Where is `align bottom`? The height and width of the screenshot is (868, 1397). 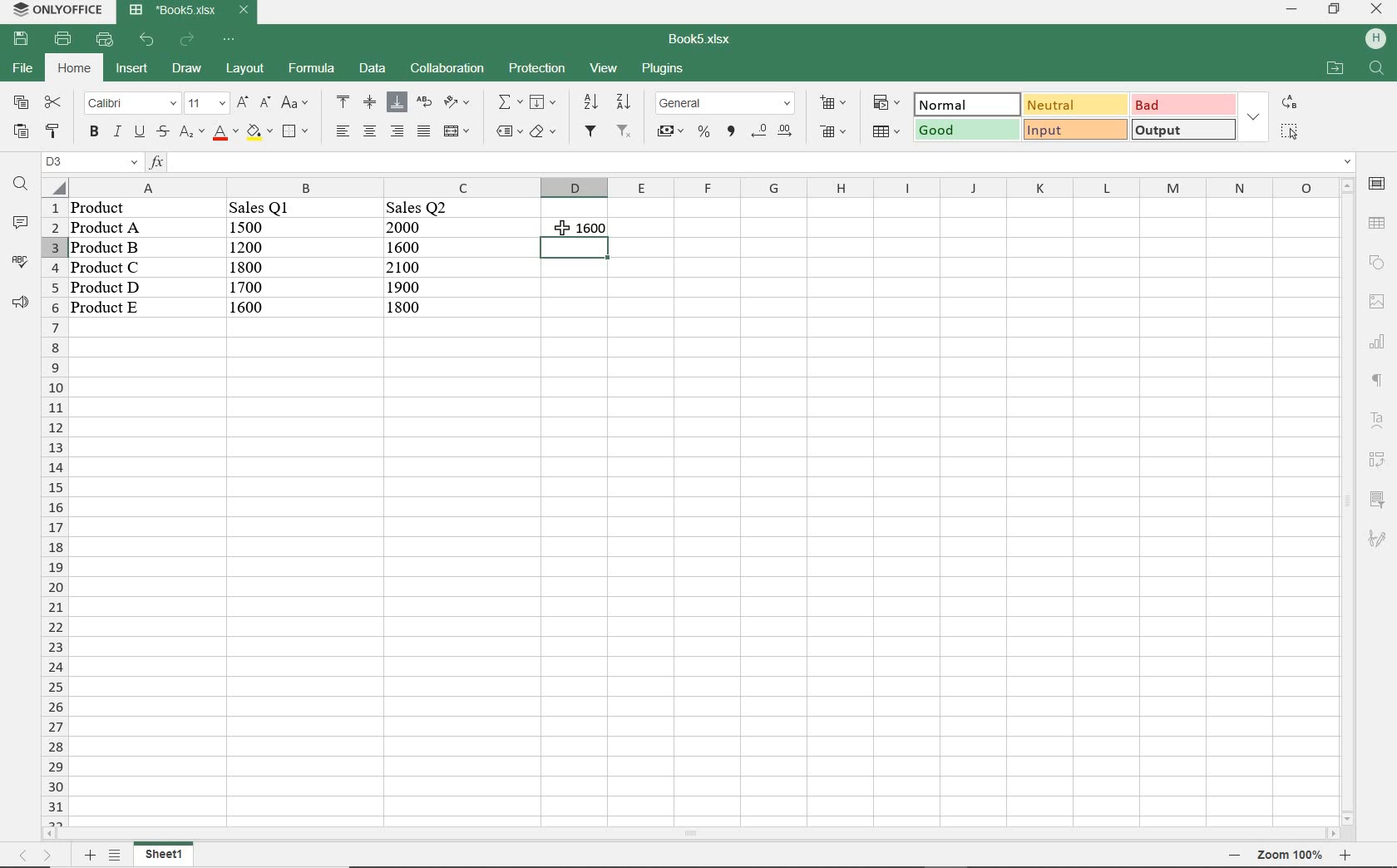 align bottom is located at coordinates (397, 104).